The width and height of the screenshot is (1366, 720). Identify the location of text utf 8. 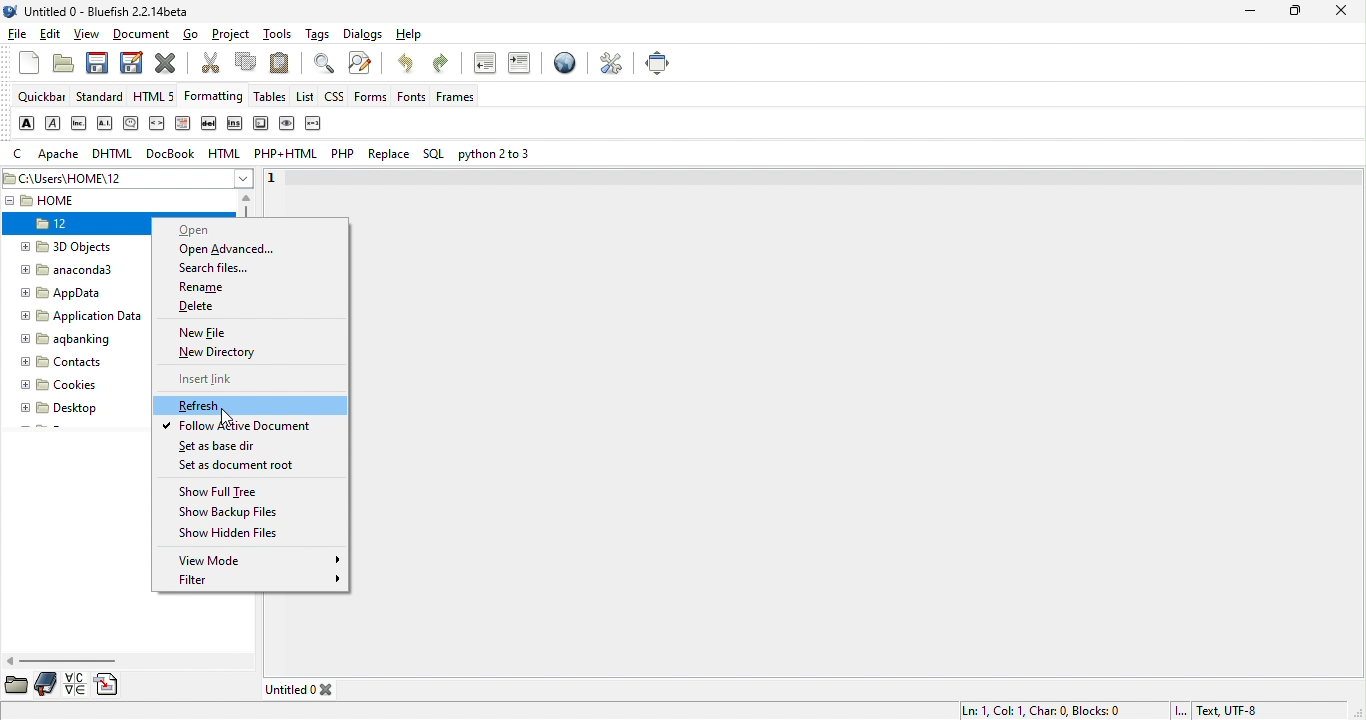
(1223, 709).